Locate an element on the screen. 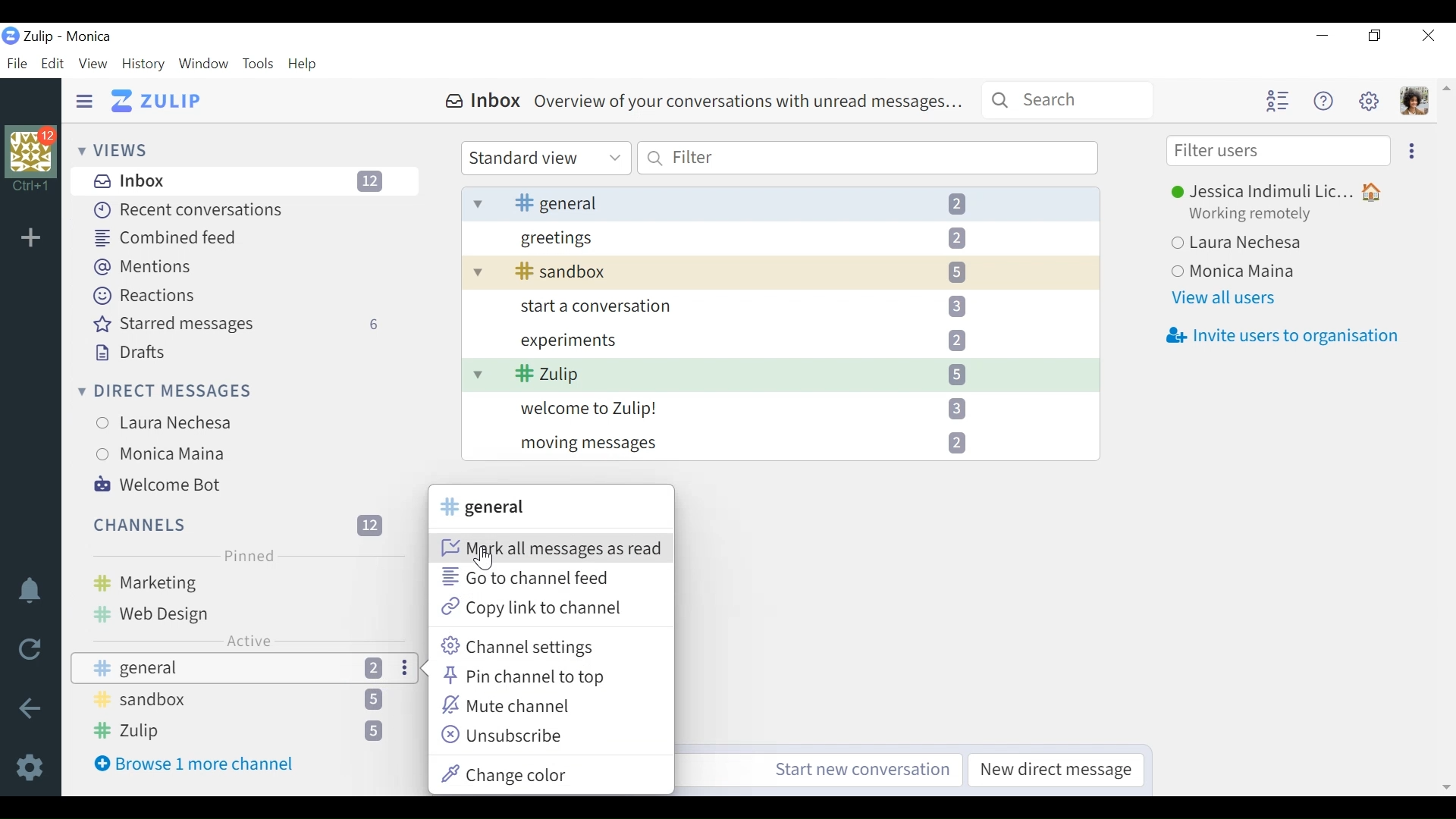  minimize is located at coordinates (1321, 36).